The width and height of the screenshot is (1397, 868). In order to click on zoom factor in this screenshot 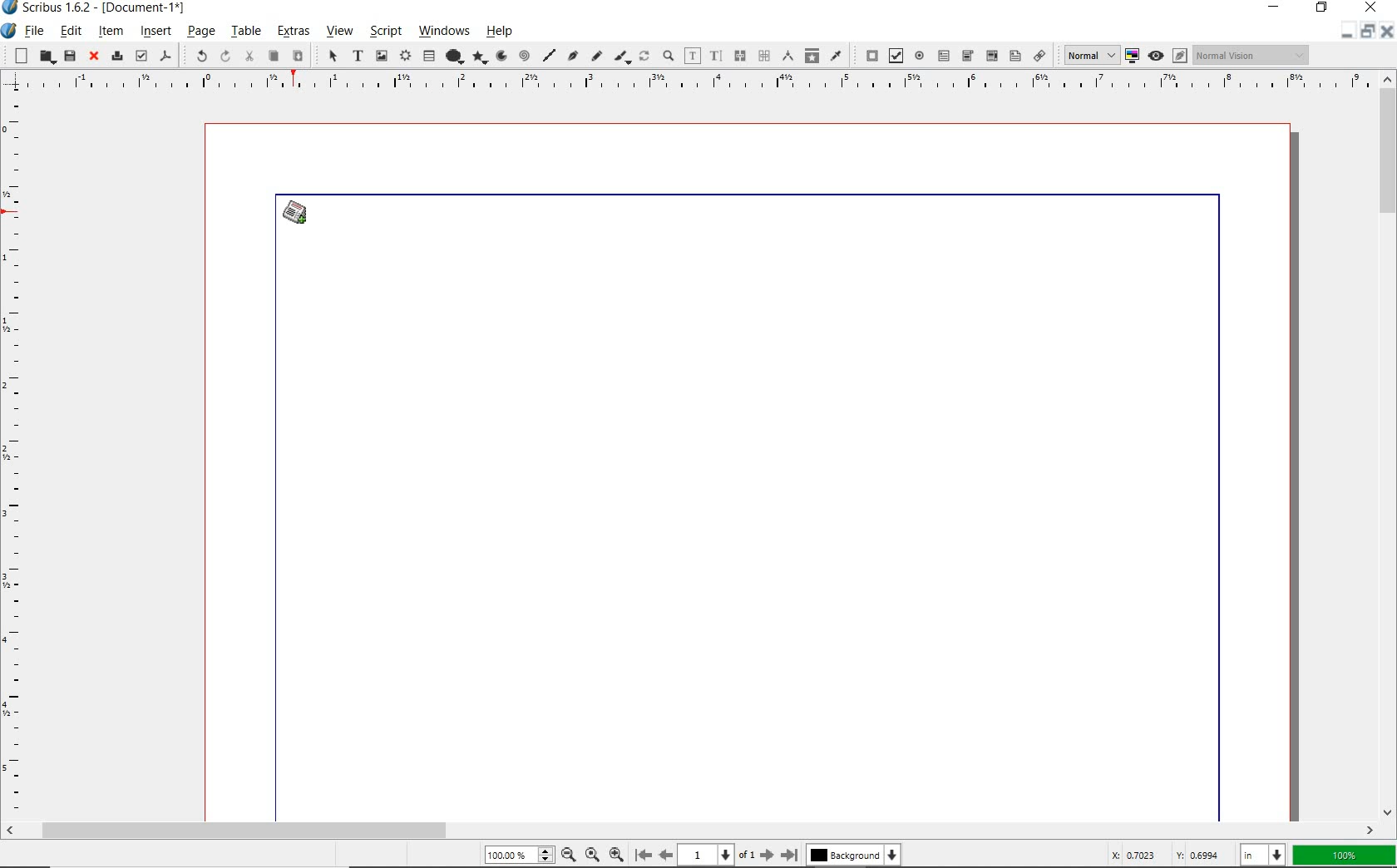, I will do `click(1345, 857)`.